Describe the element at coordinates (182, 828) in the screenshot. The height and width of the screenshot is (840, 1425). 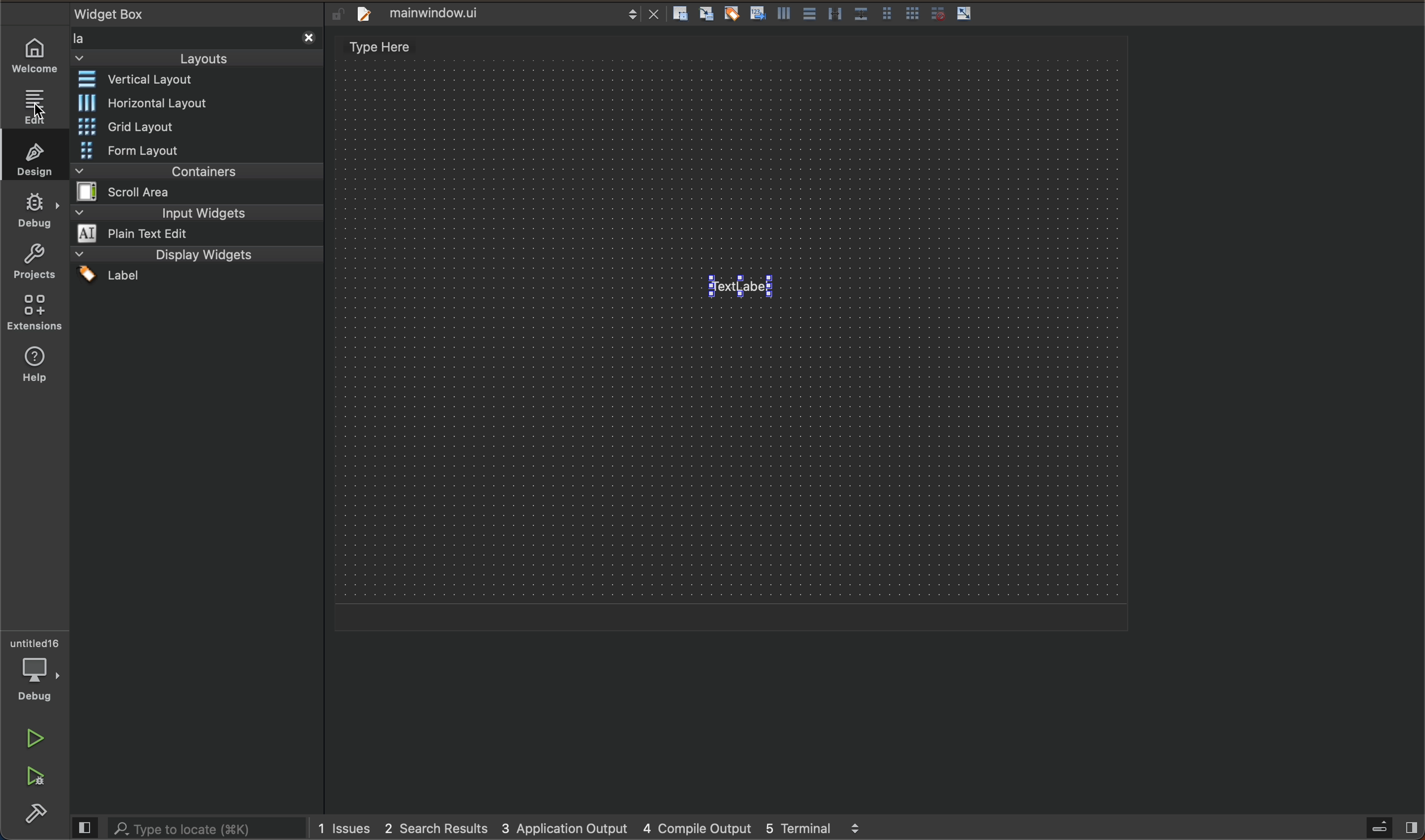
I see `Type to locate` at that location.